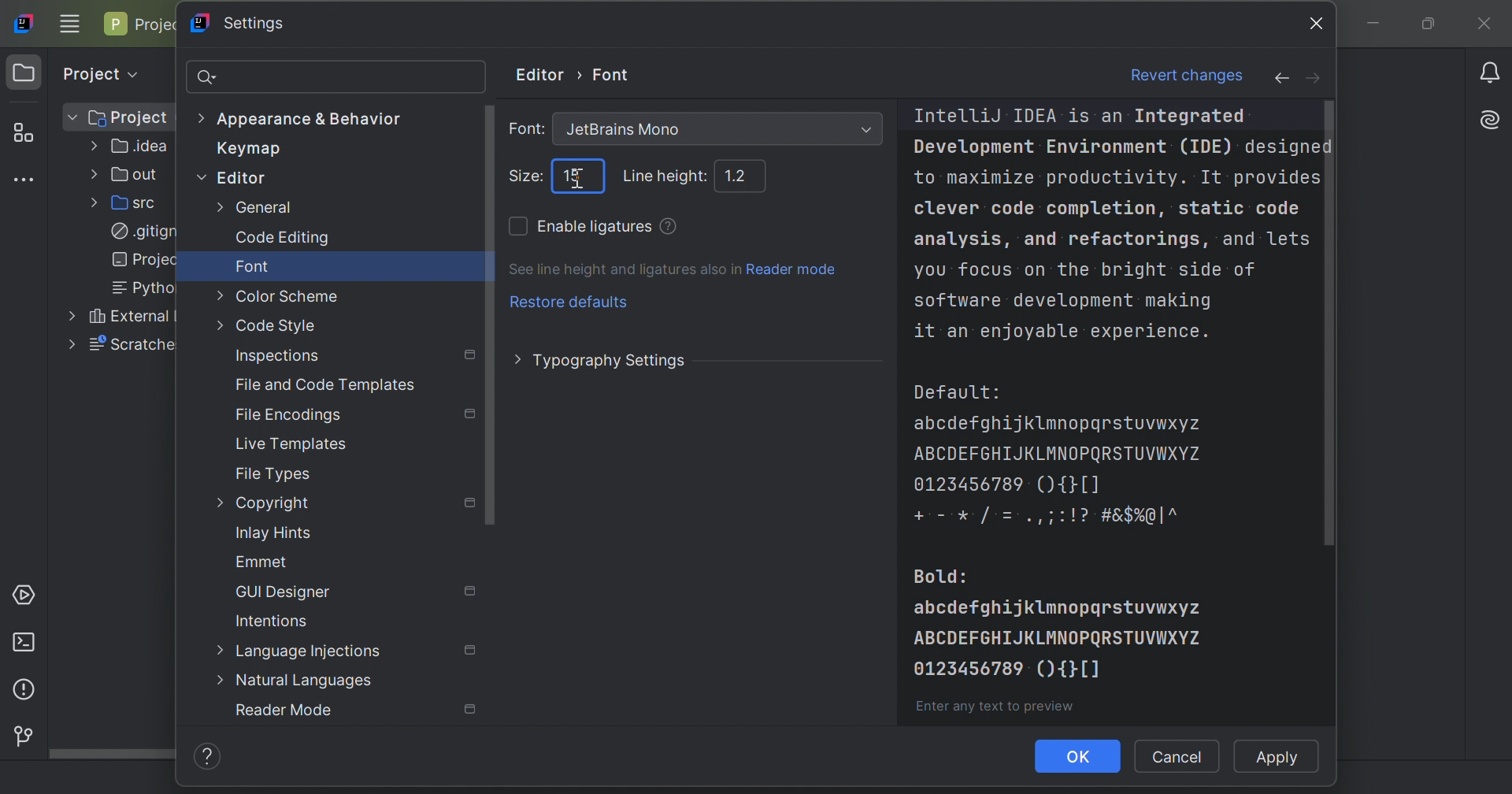  Describe the element at coordinates (1056, 425) in the screenshot. I see `abcdefghijklmnopqrstuvwxyz` at that location.